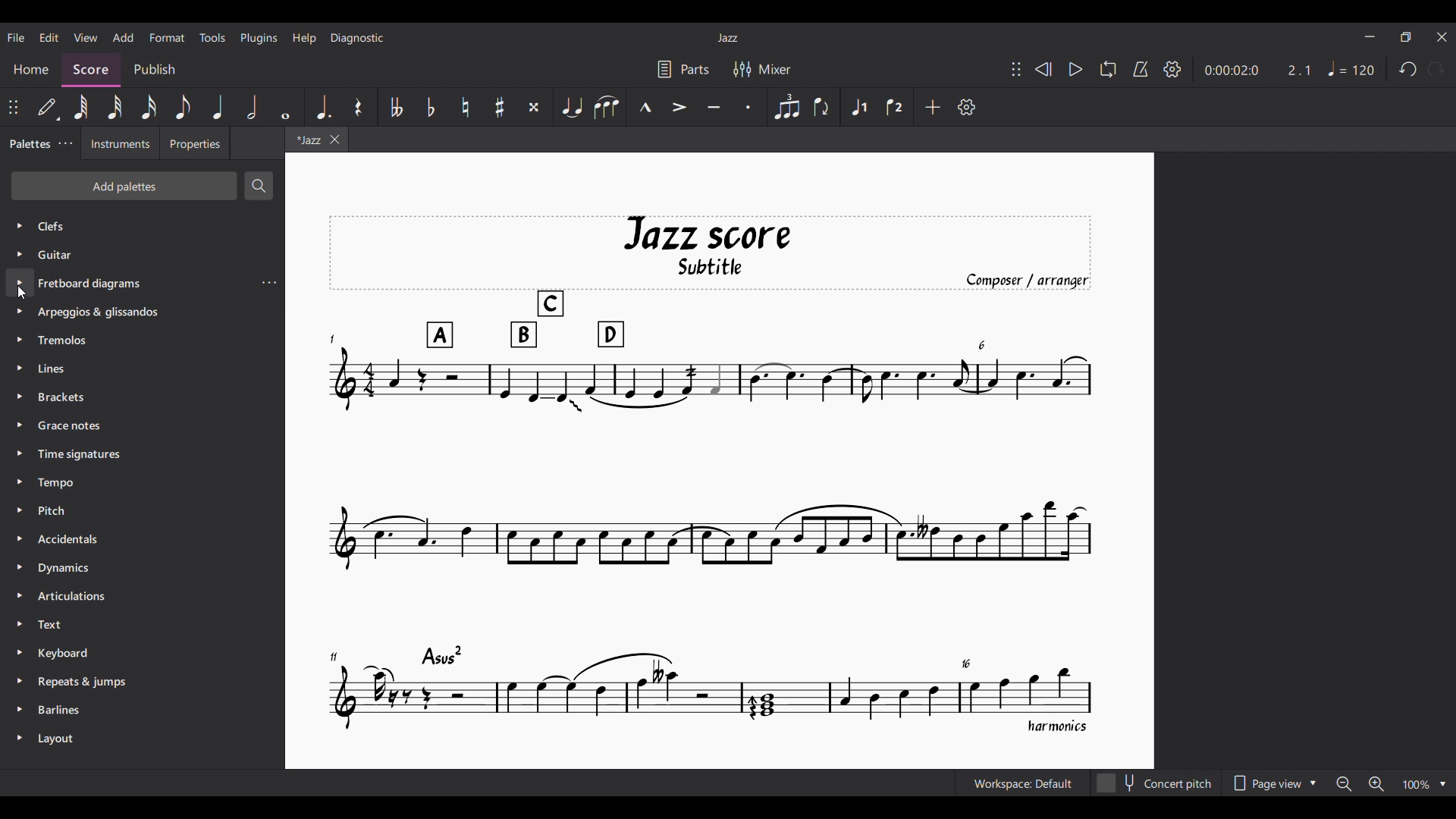  What do you see at coordinates (1156, 783) in the screenshot?
I see `Concert pitch toggle` at bounding box center [1156, 783].